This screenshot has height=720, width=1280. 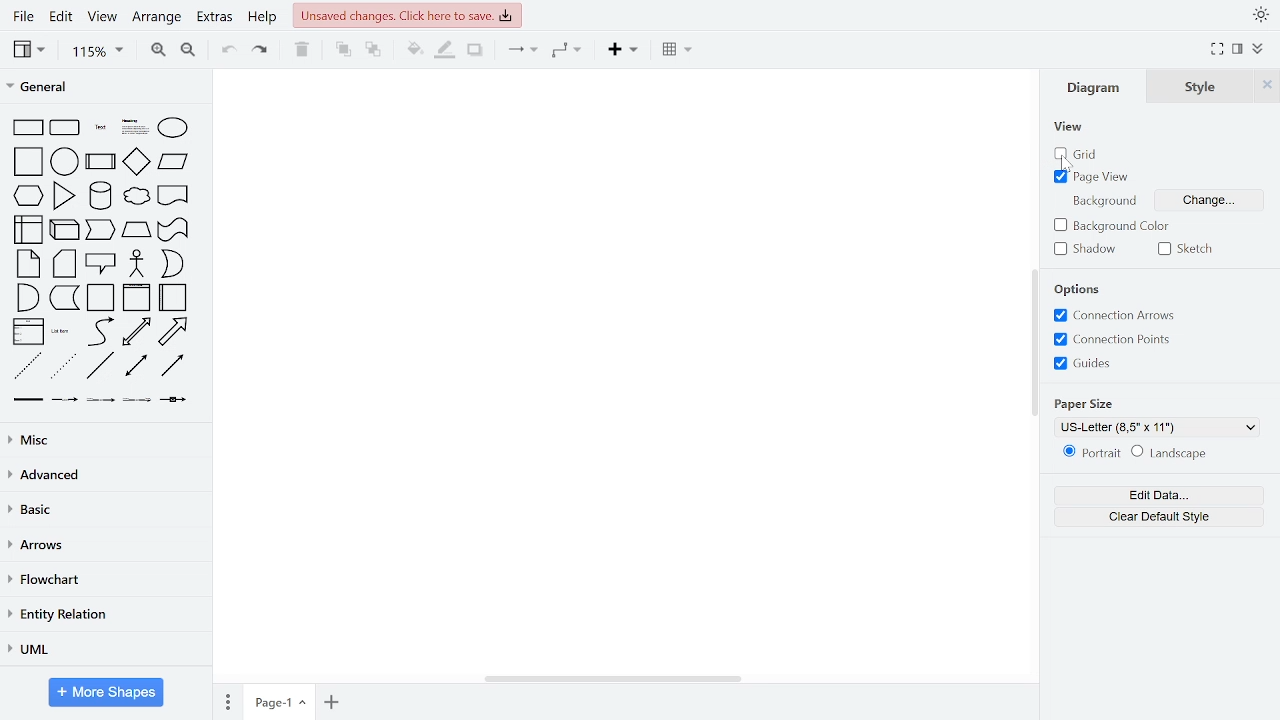 What do you see at coordinates (226, 50) in the screenshot?
I see `undo` at bounding box center [226, 50].